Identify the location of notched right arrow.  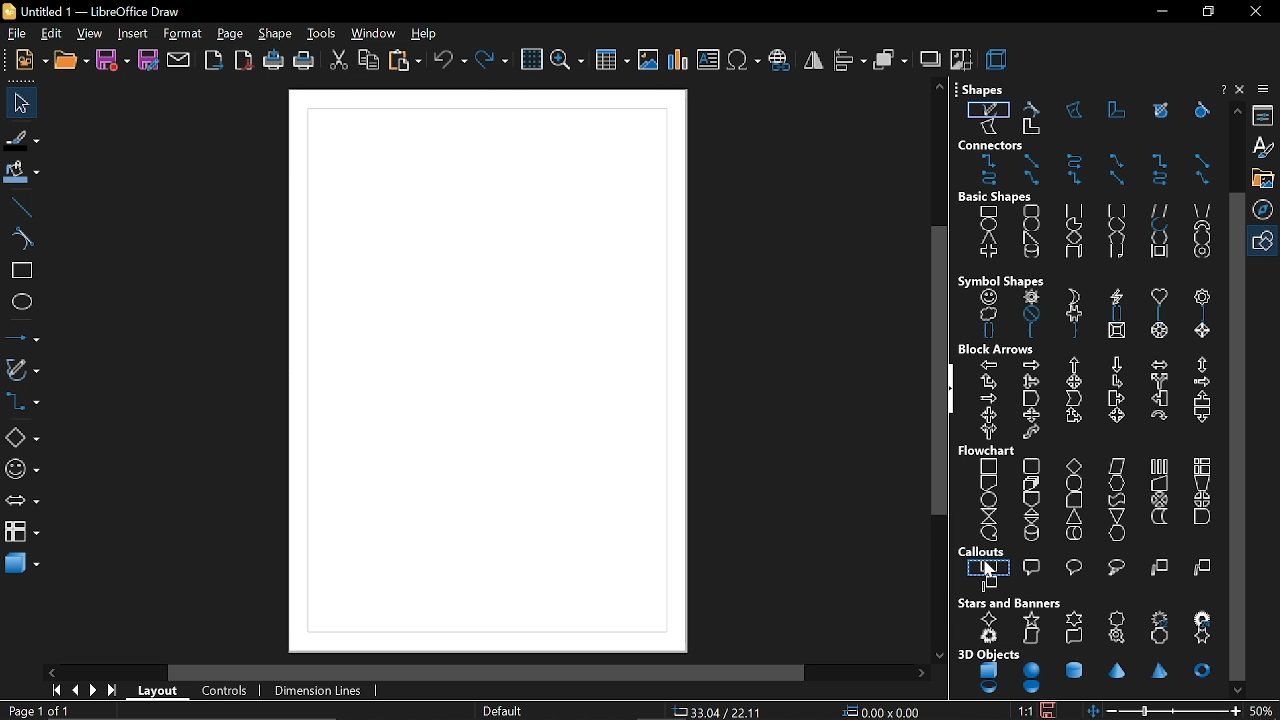
(987, 399).